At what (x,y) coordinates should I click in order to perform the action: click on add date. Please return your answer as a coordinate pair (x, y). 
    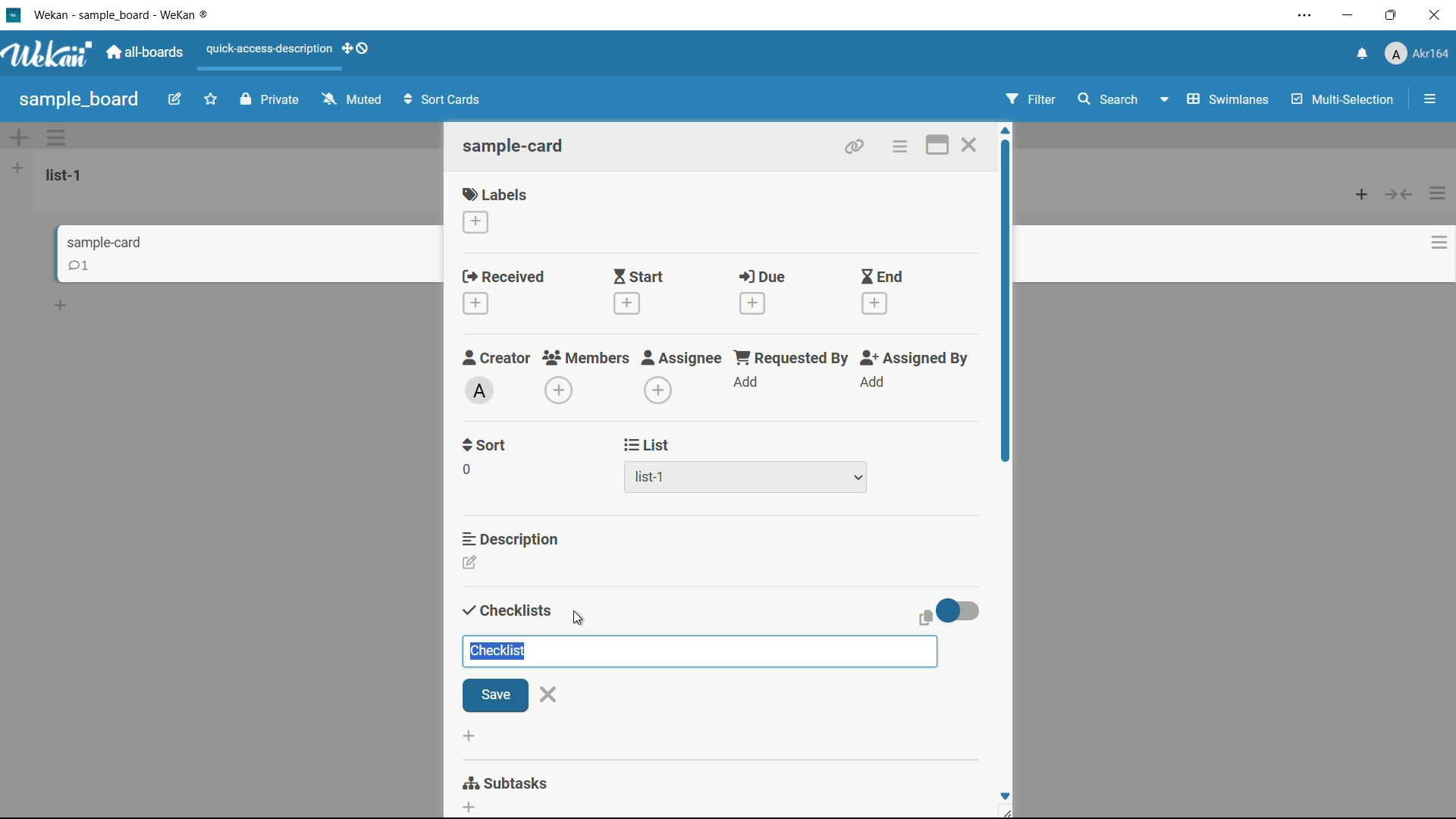
    Looking at the image, I should click on (752, 304).